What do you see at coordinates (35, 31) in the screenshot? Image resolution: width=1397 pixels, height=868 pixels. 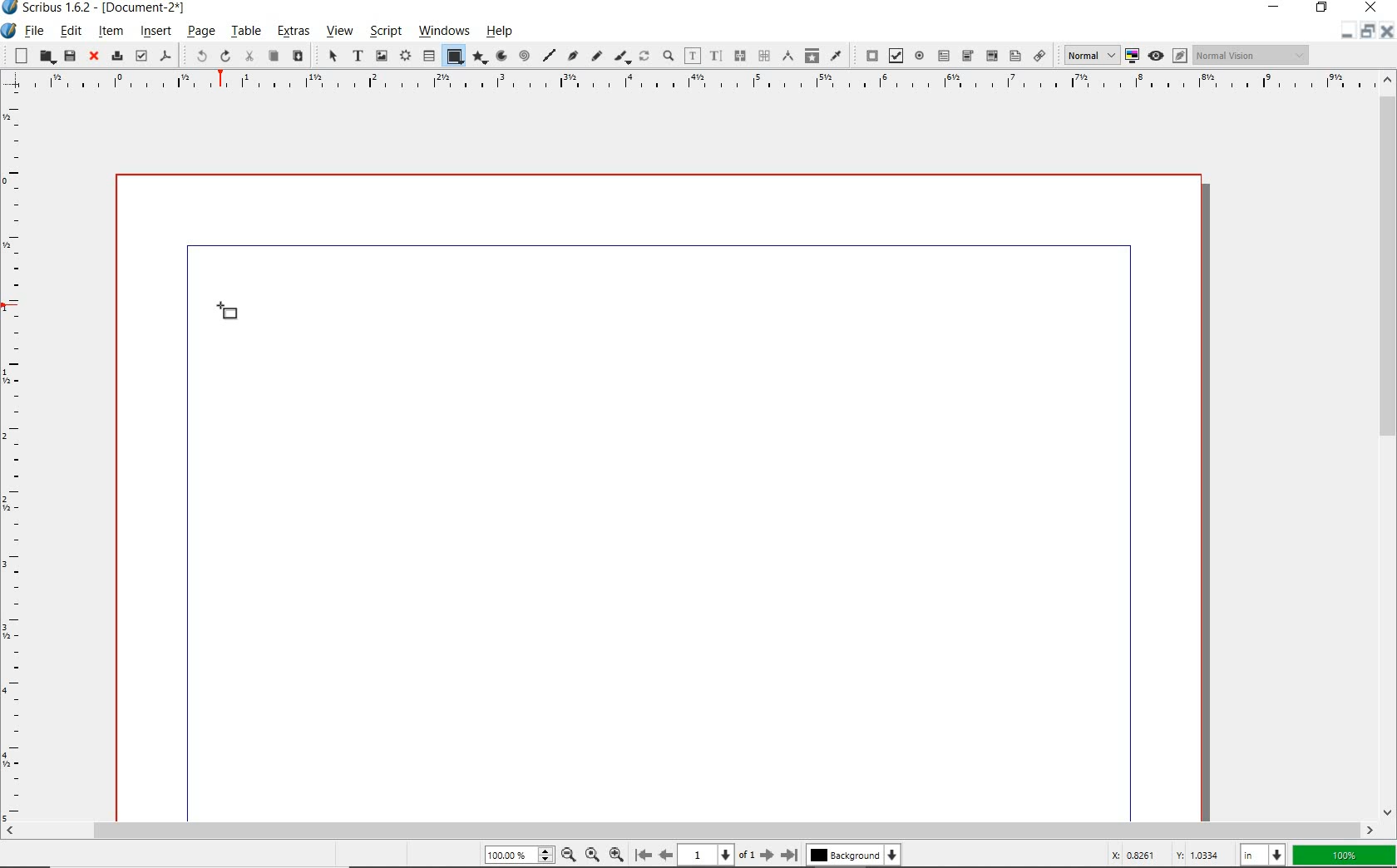 I see `file` at bounding box center [35, 31].